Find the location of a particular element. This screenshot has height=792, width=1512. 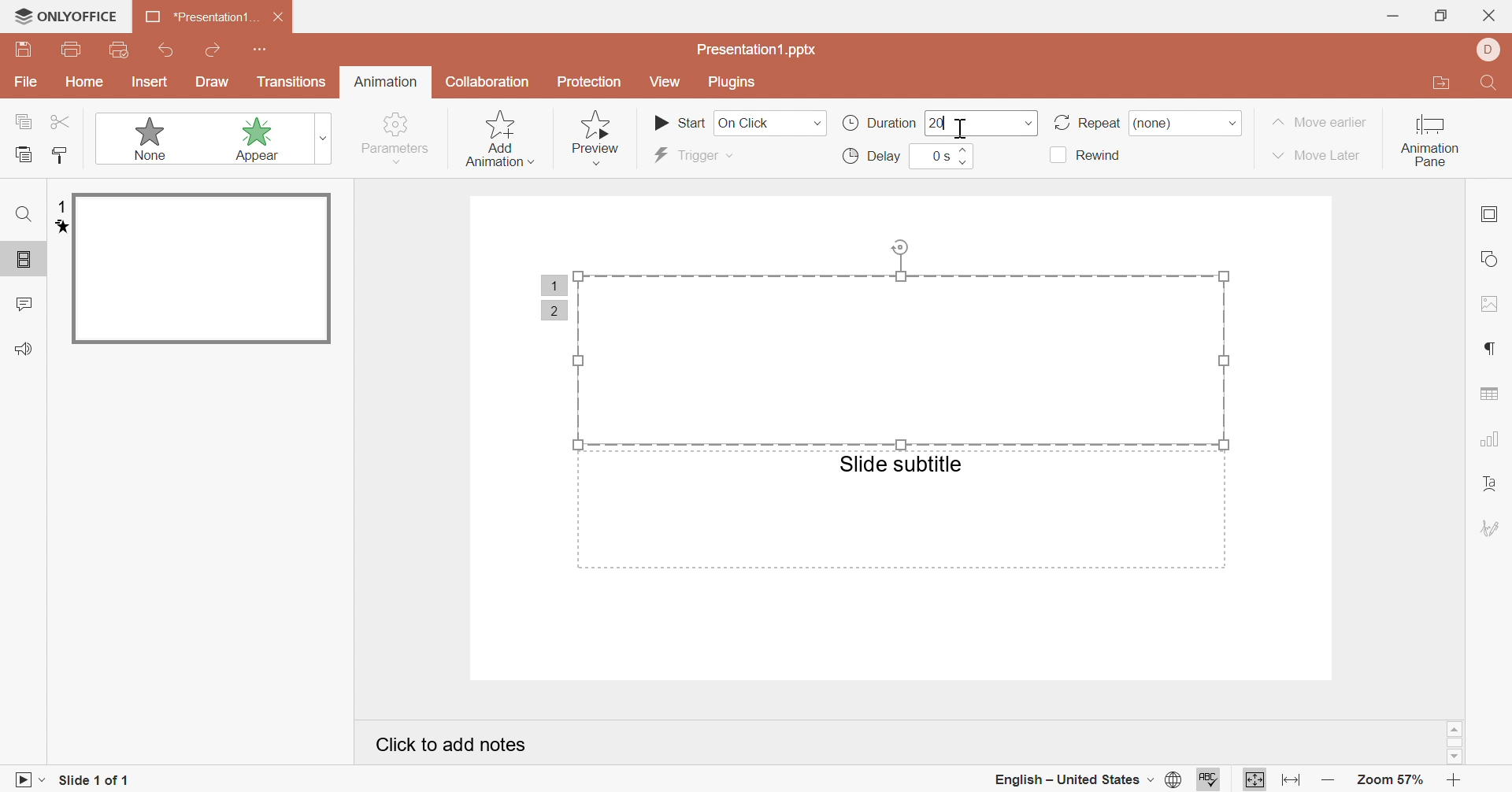

move earlier is located at coordinates (1319, 122).